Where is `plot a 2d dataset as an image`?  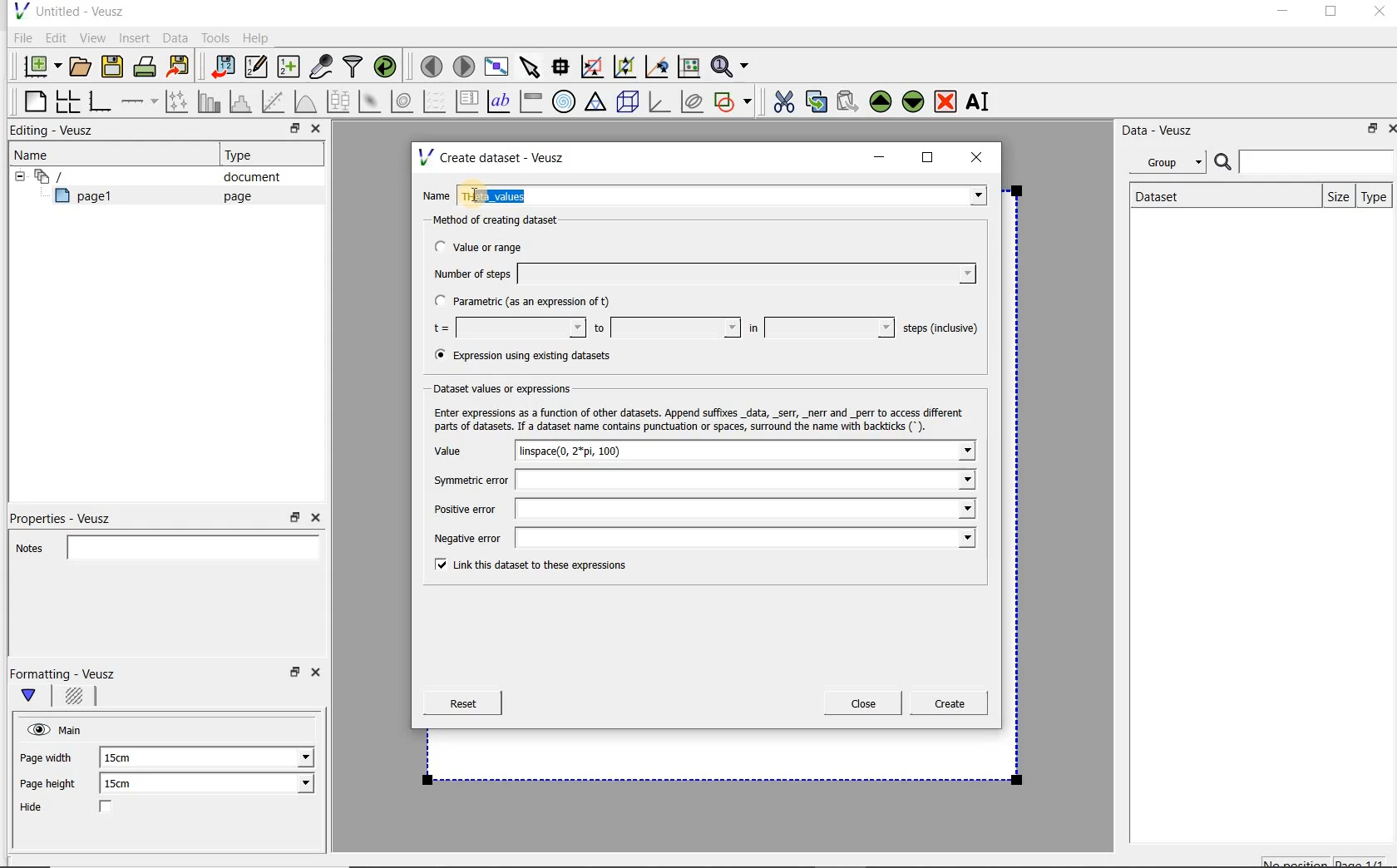
plot a 2d dataset as an image is located at coordinates (372, 102).